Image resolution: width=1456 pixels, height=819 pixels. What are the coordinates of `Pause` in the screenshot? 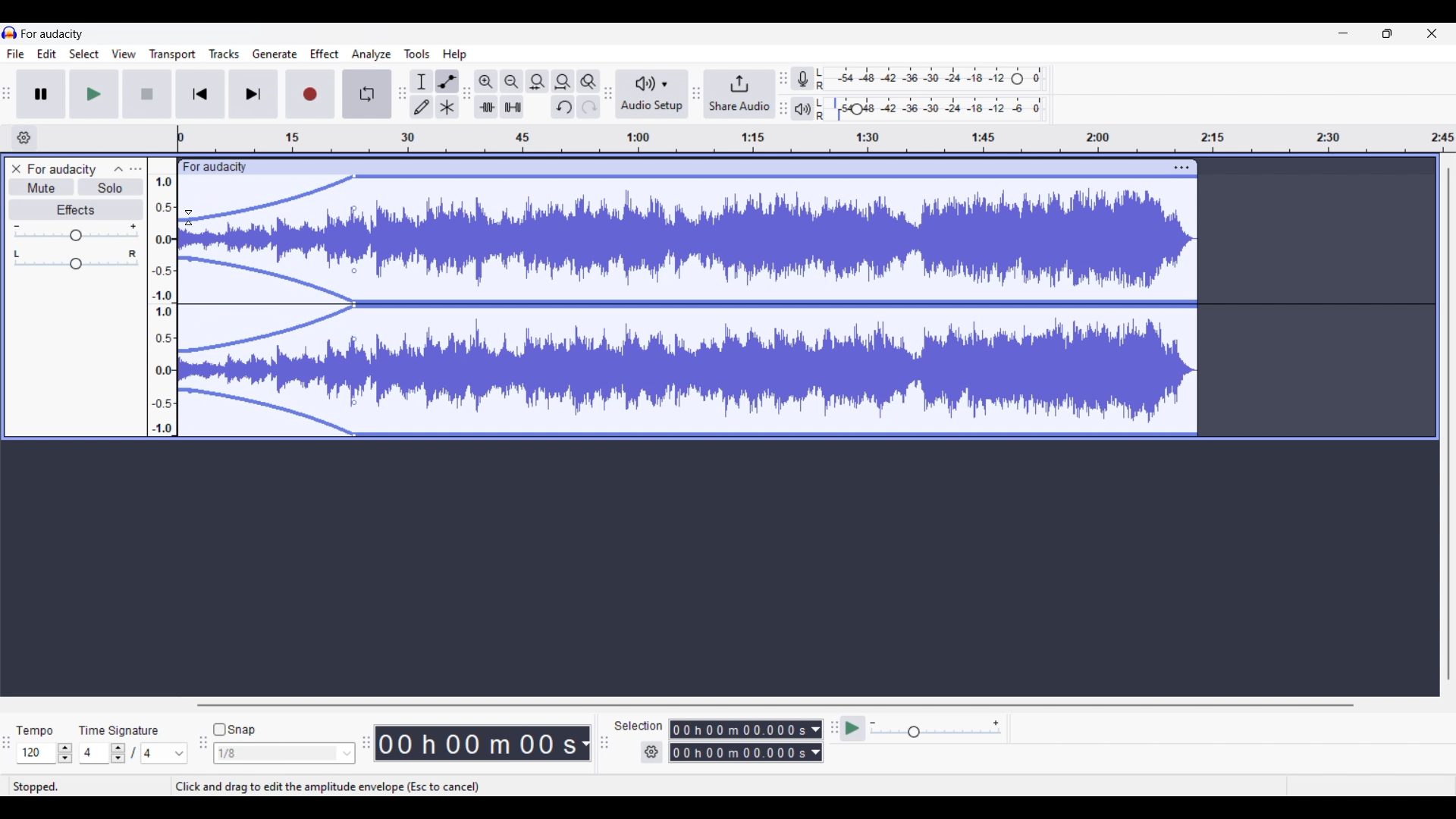 It's located at (41, 94).